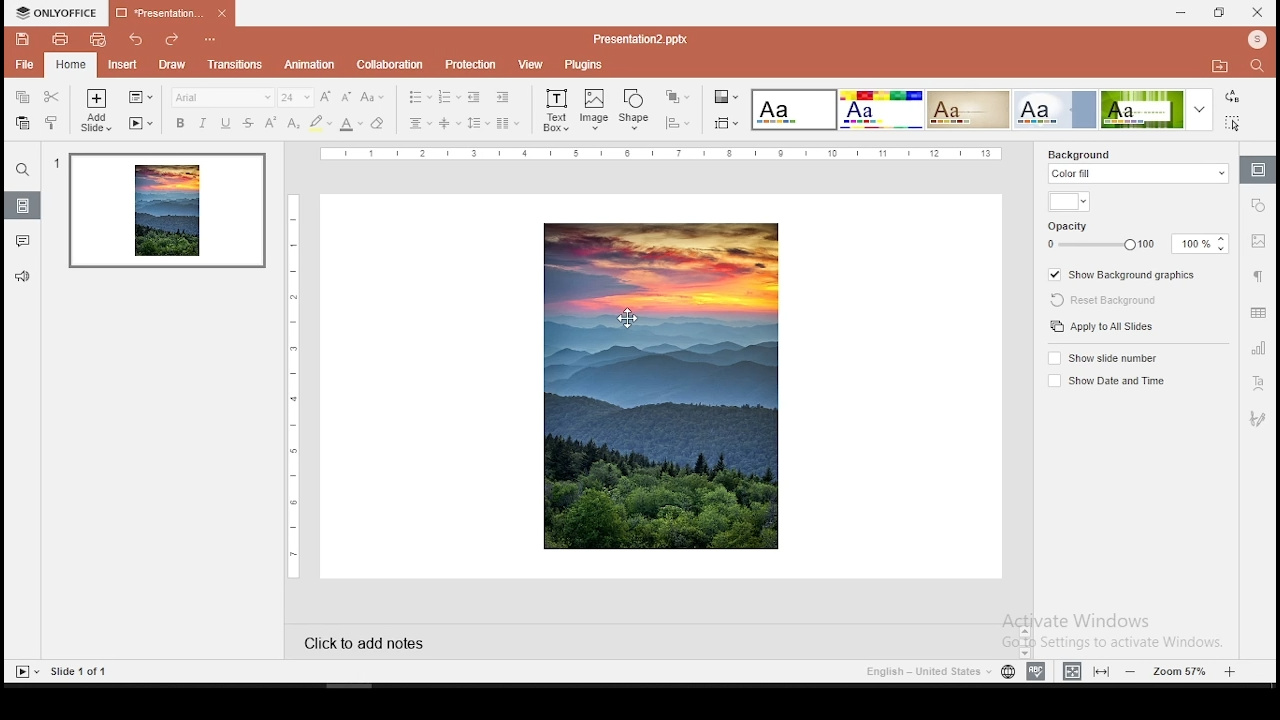  Describe the element at coordinates (374, 97) in the screenshot. I see `change case` at that location.